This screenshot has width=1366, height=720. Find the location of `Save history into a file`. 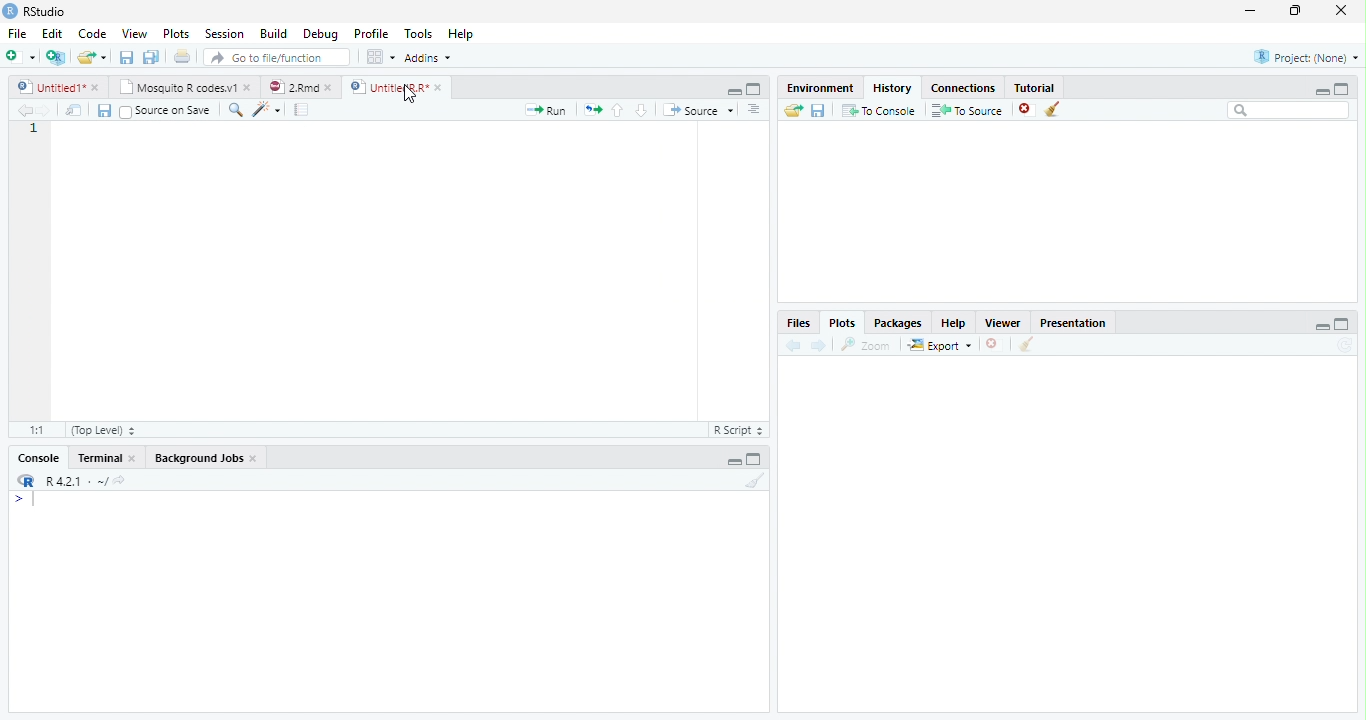

Save history into a file is located at coordinates (819, 110).